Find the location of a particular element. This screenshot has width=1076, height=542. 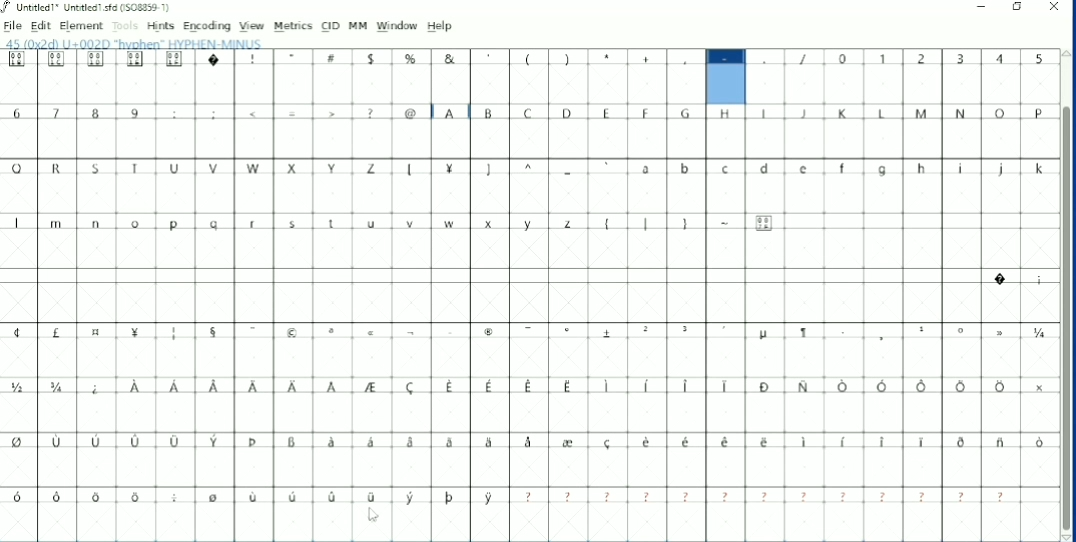

Symbols is located at coordinates (528, 333).